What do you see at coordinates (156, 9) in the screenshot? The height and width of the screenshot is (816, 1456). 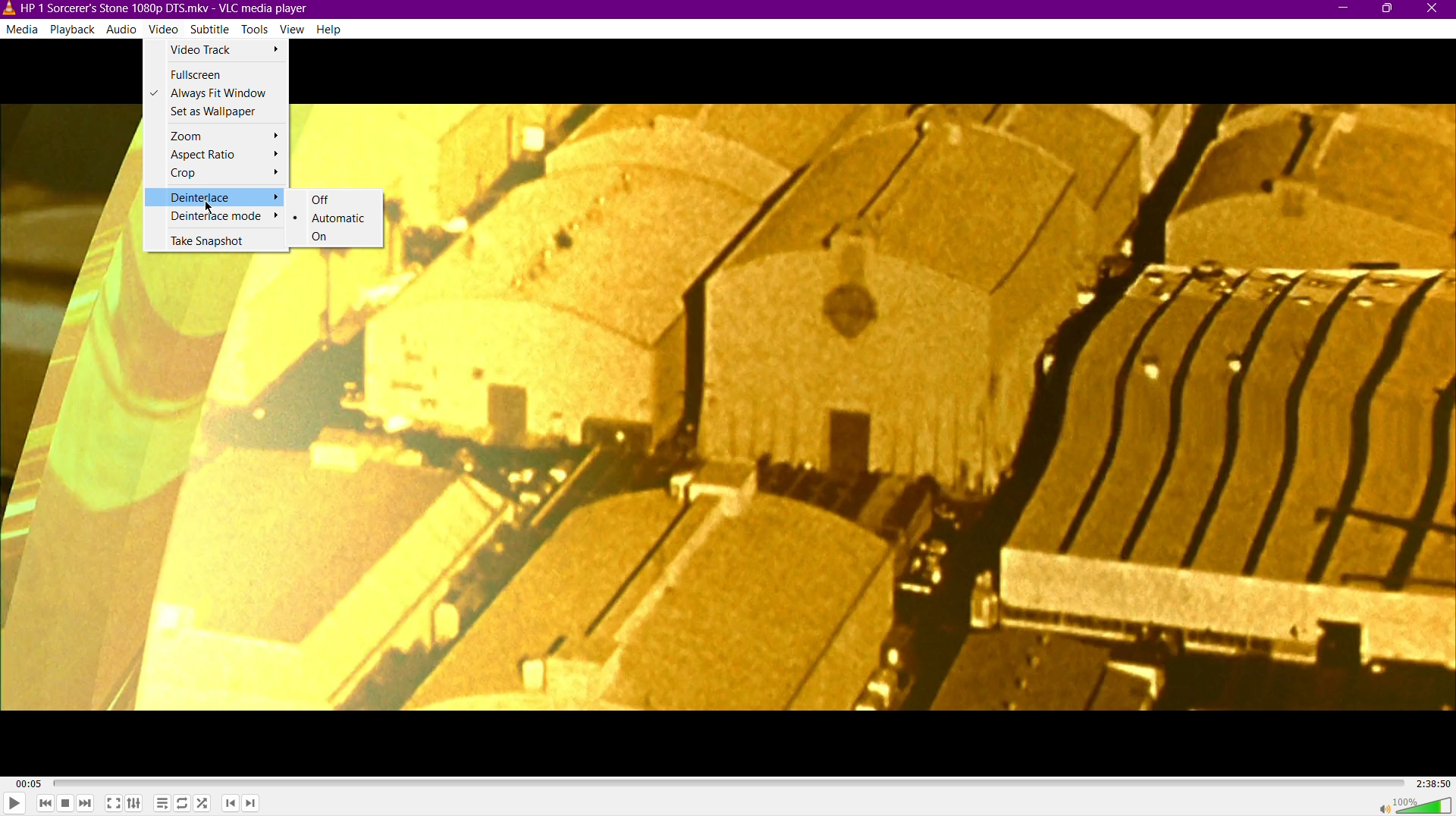 I see `HP | Sorcerer's Stone1080p DTS.mkv-VLC media player` at bounding box center [156, 9].